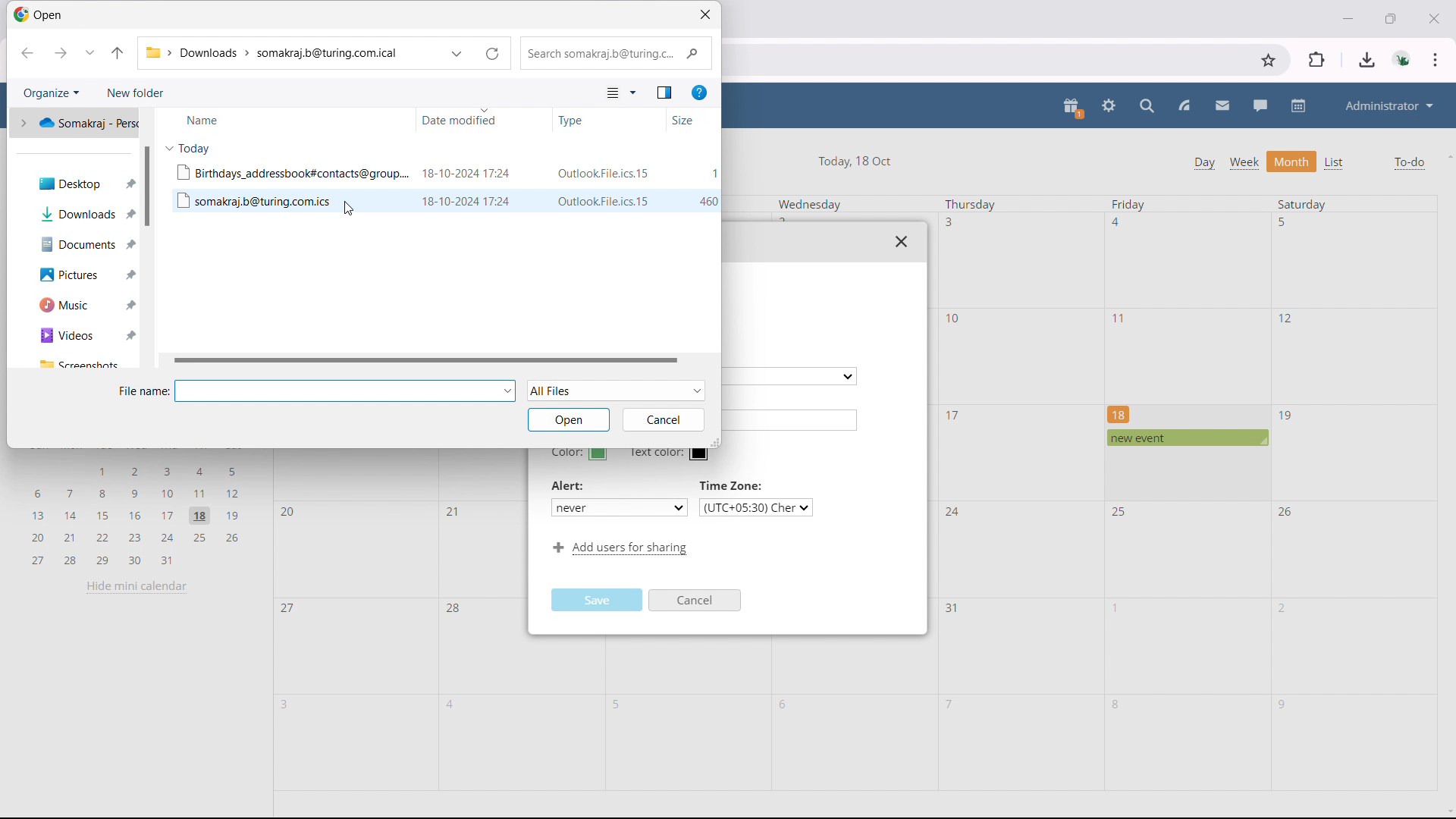  What do you see at coordinates (857, 159) in the screenshot?
I see `Today, 18 Oct` at bounding box center [857, 159].